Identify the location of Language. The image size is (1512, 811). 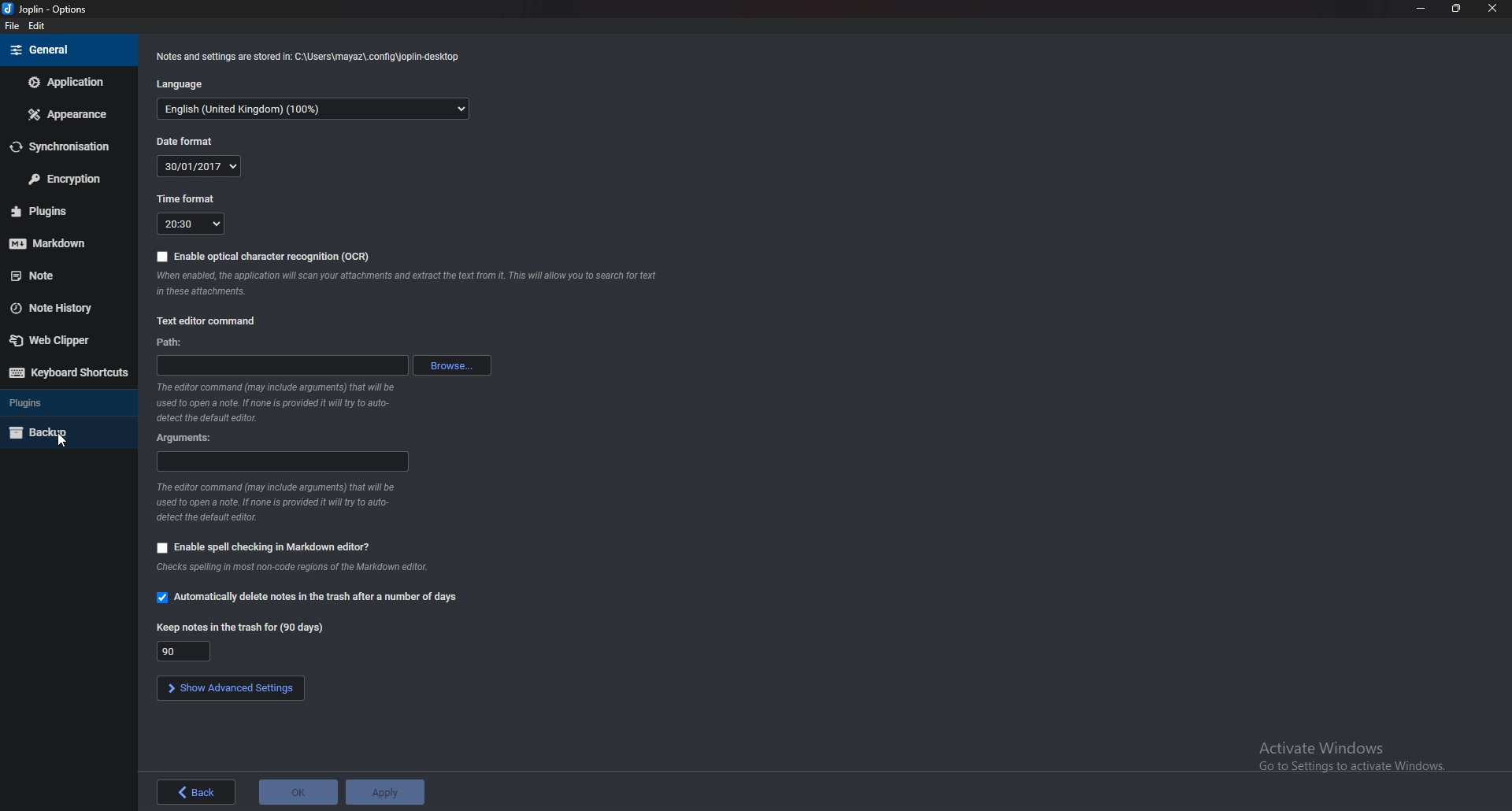
(185, 85).